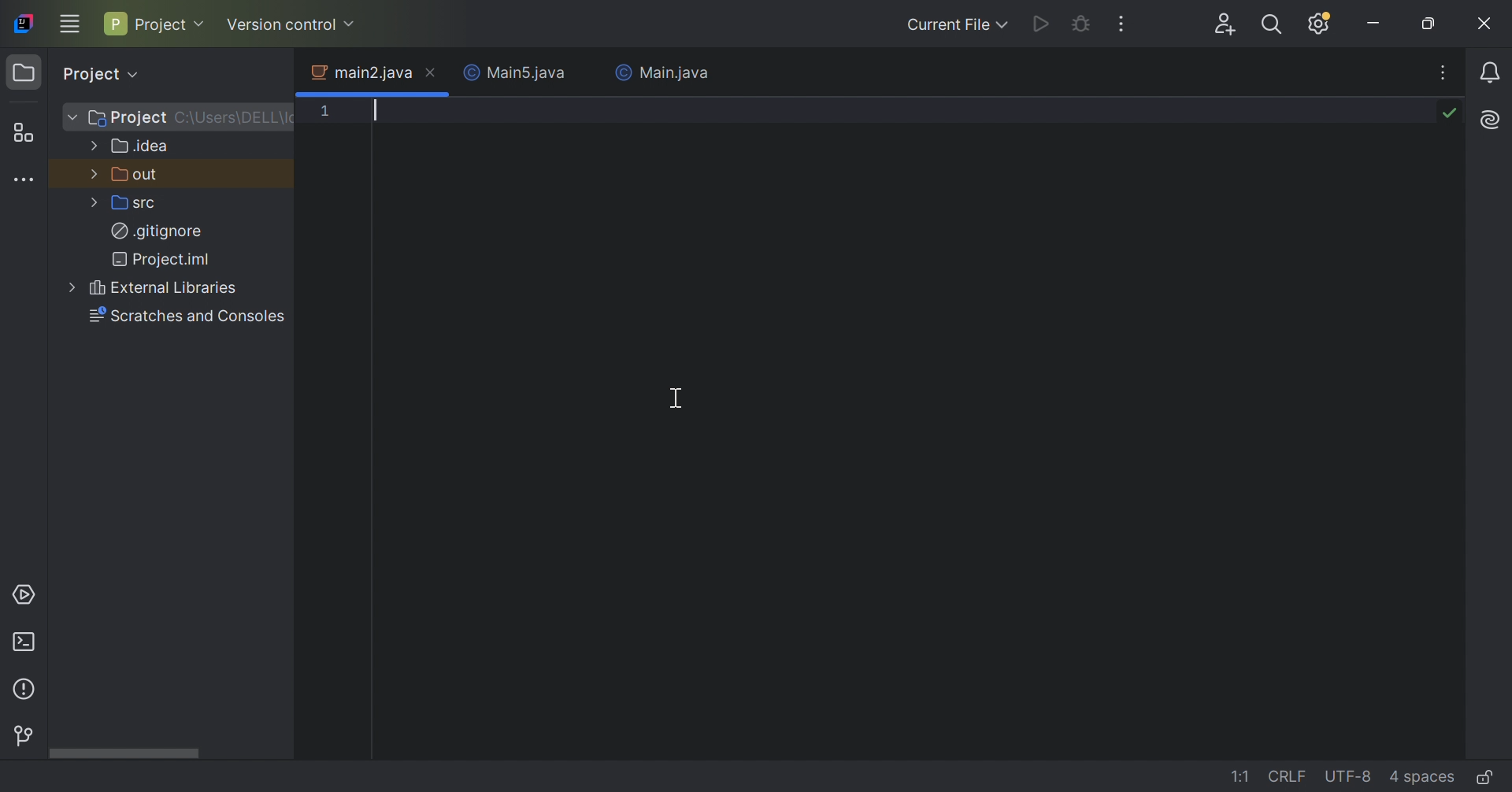 The height and width of the screenshot is (792, 1512). I want to click on Run, so click(1043, 24).